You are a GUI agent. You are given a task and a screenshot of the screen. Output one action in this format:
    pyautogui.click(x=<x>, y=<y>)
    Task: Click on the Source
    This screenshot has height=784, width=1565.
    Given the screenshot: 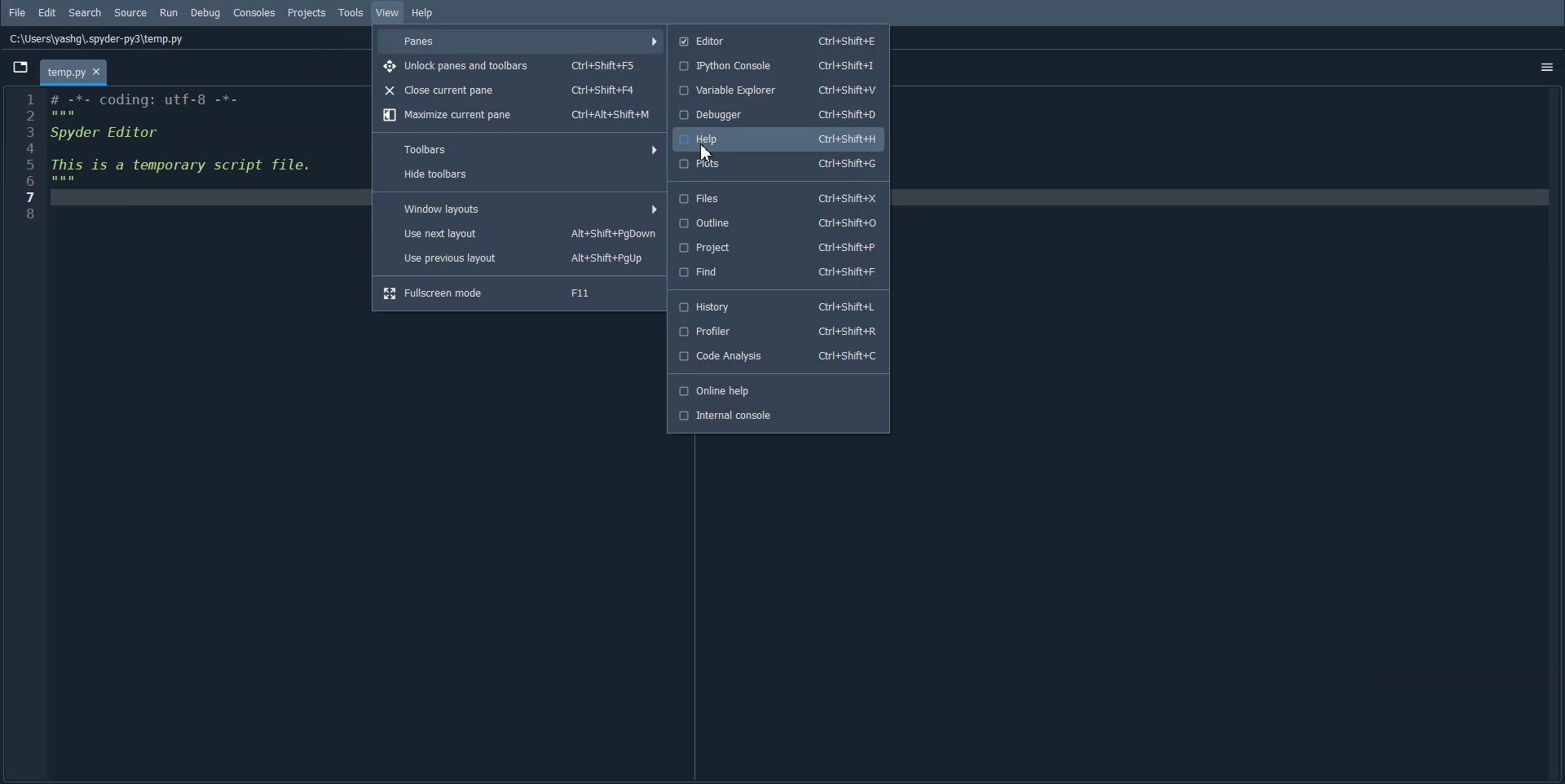 What is the action you would take?
    pyautogui.click(x=131, y=13)
    